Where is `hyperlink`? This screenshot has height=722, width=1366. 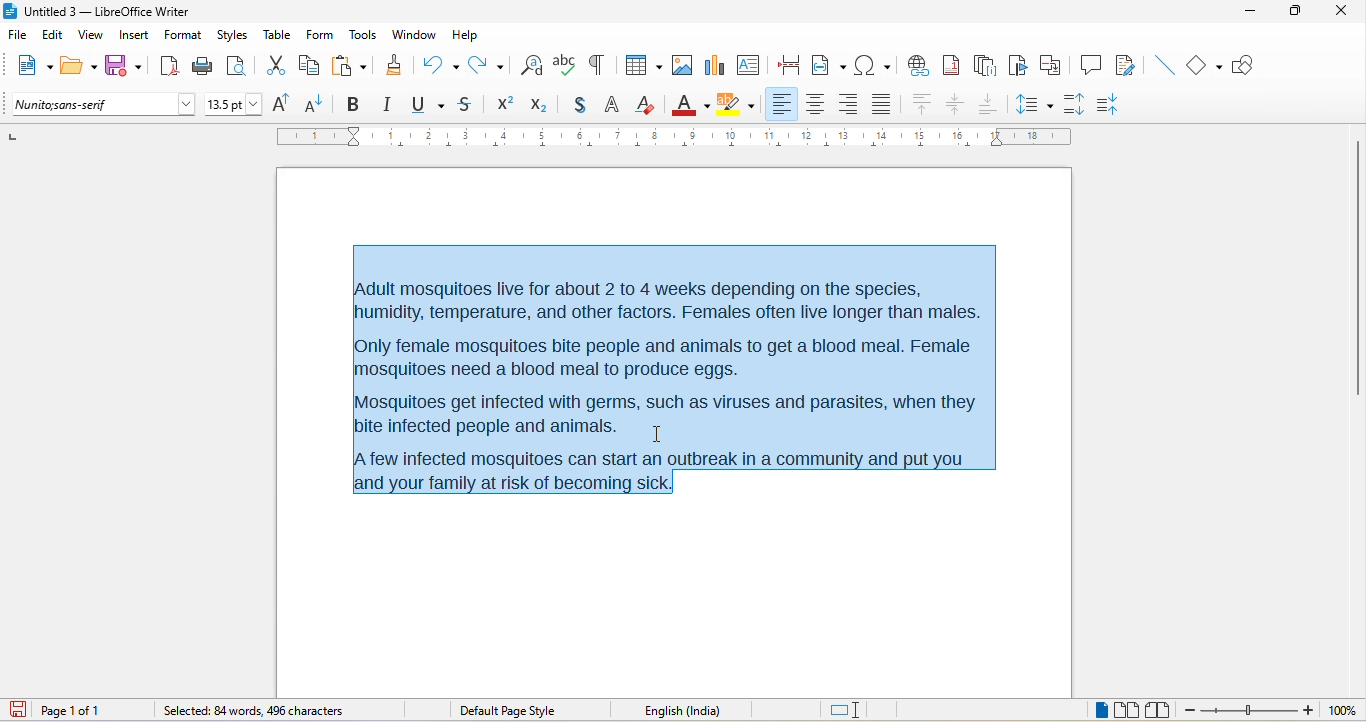
hyperlink is located at coordinates (917, 63).